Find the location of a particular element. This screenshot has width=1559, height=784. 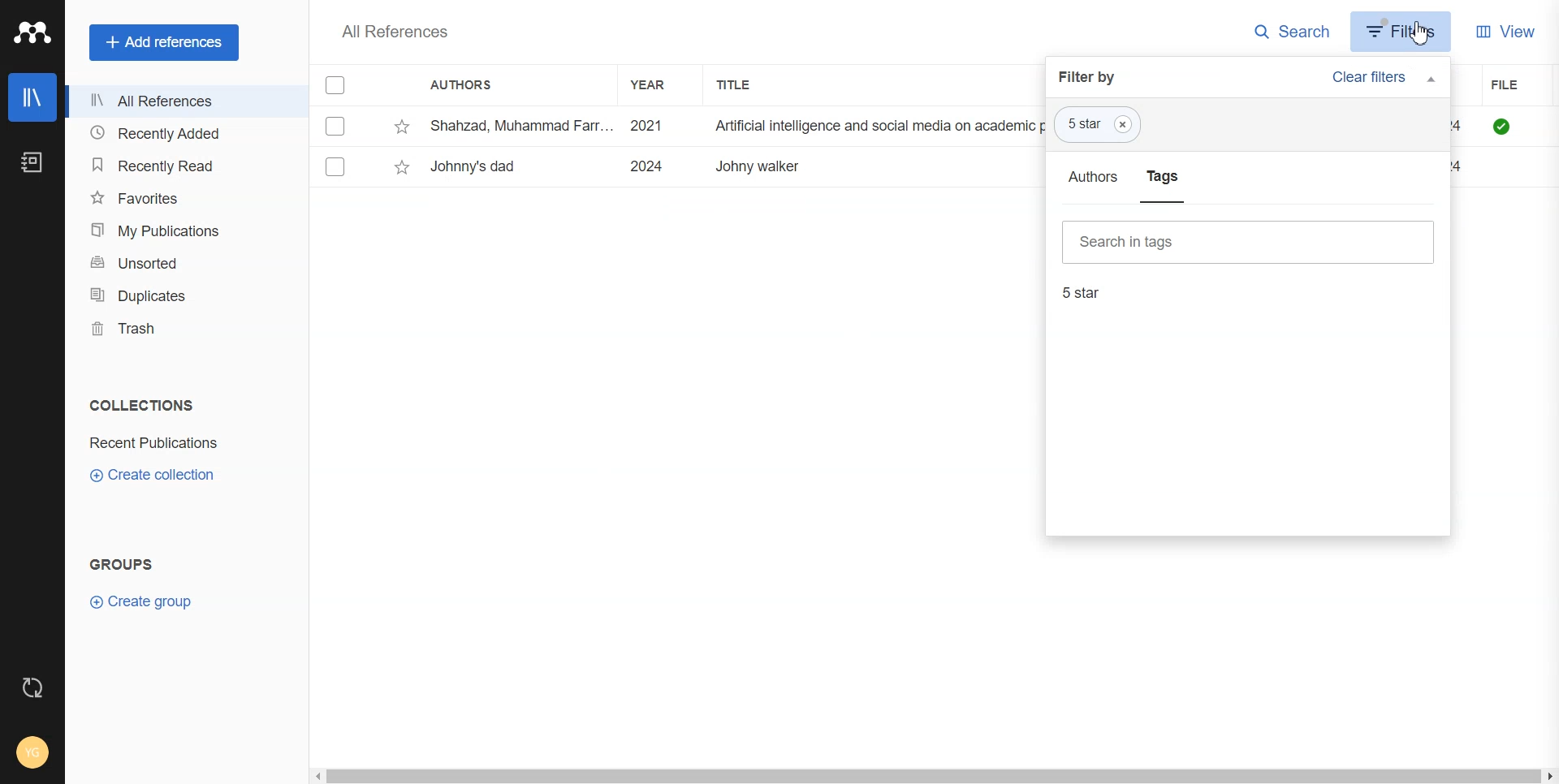

star is located at coordinates (403, 127).